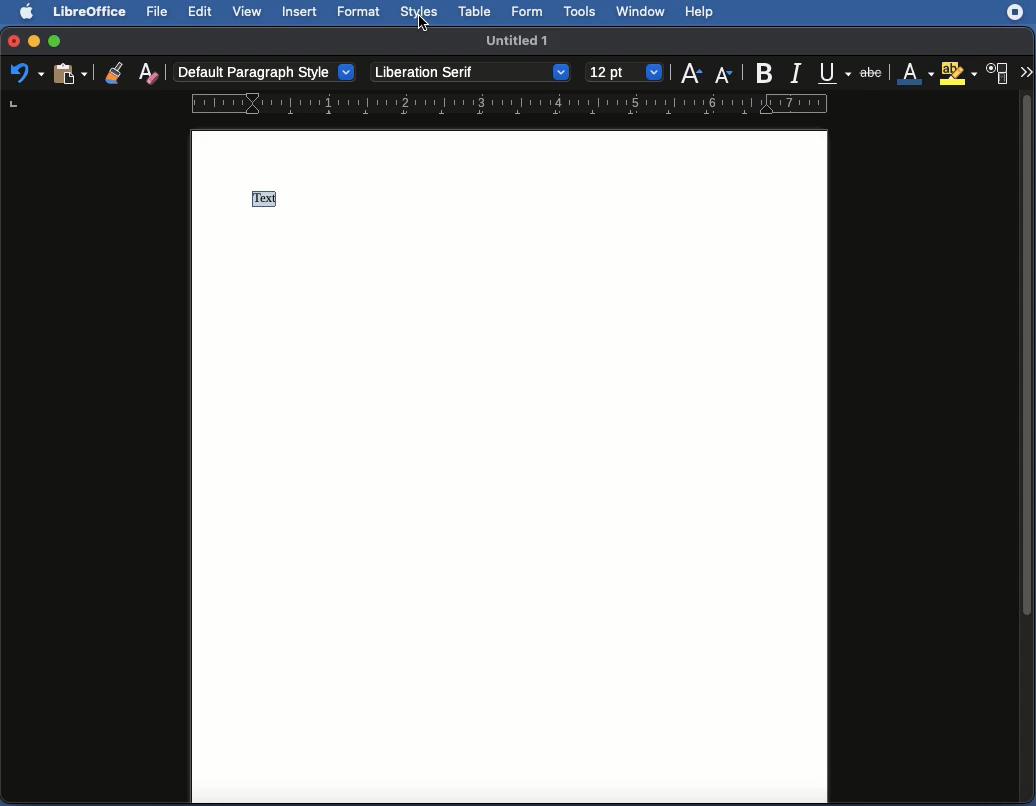 This screenshot has width=1036, height=806. What do you see at coordinates (467, 71) in the screenshot?
I see `Font style` at bounding box center [467, 71].